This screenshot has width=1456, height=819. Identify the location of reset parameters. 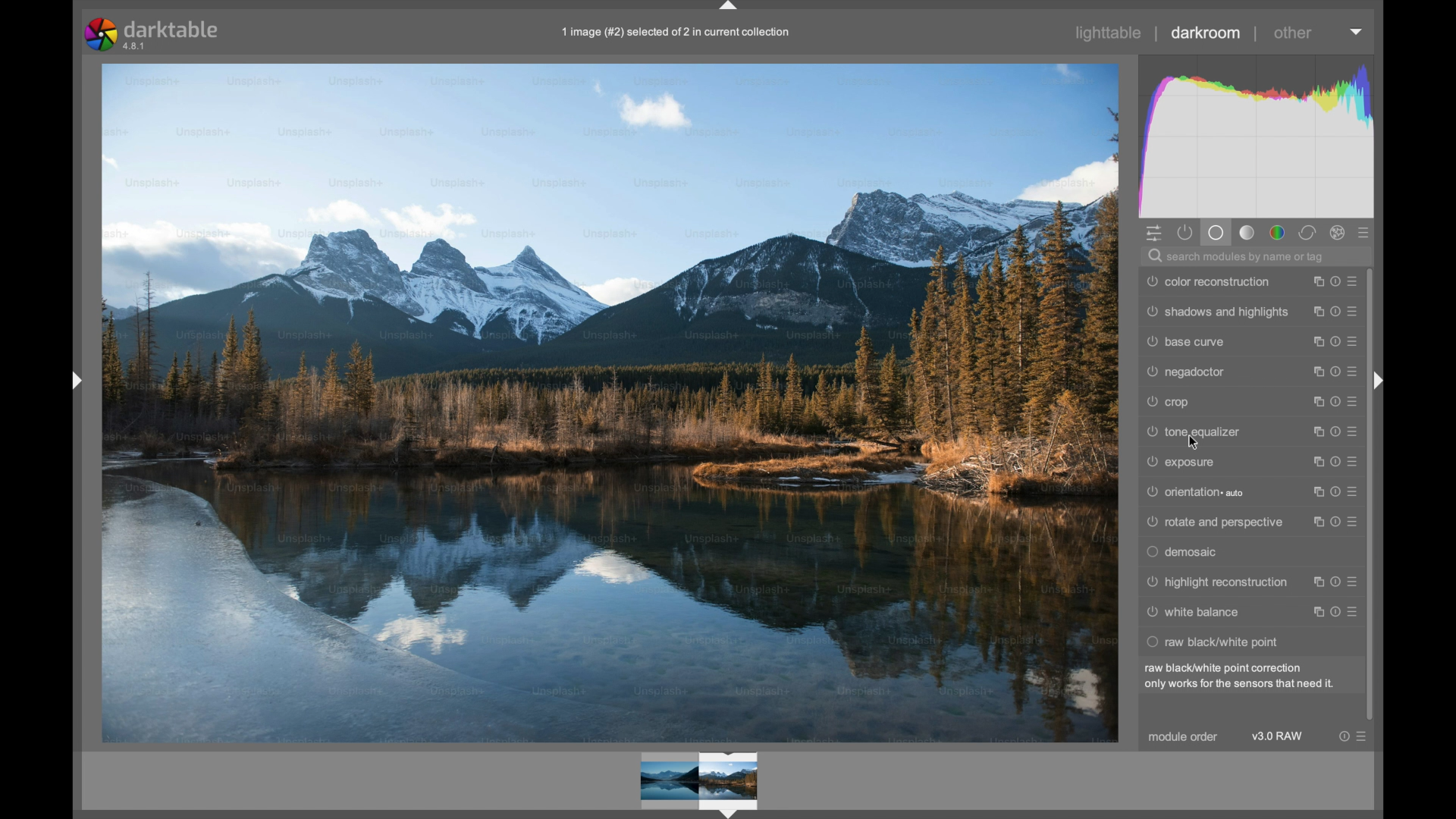
(1335, 343).